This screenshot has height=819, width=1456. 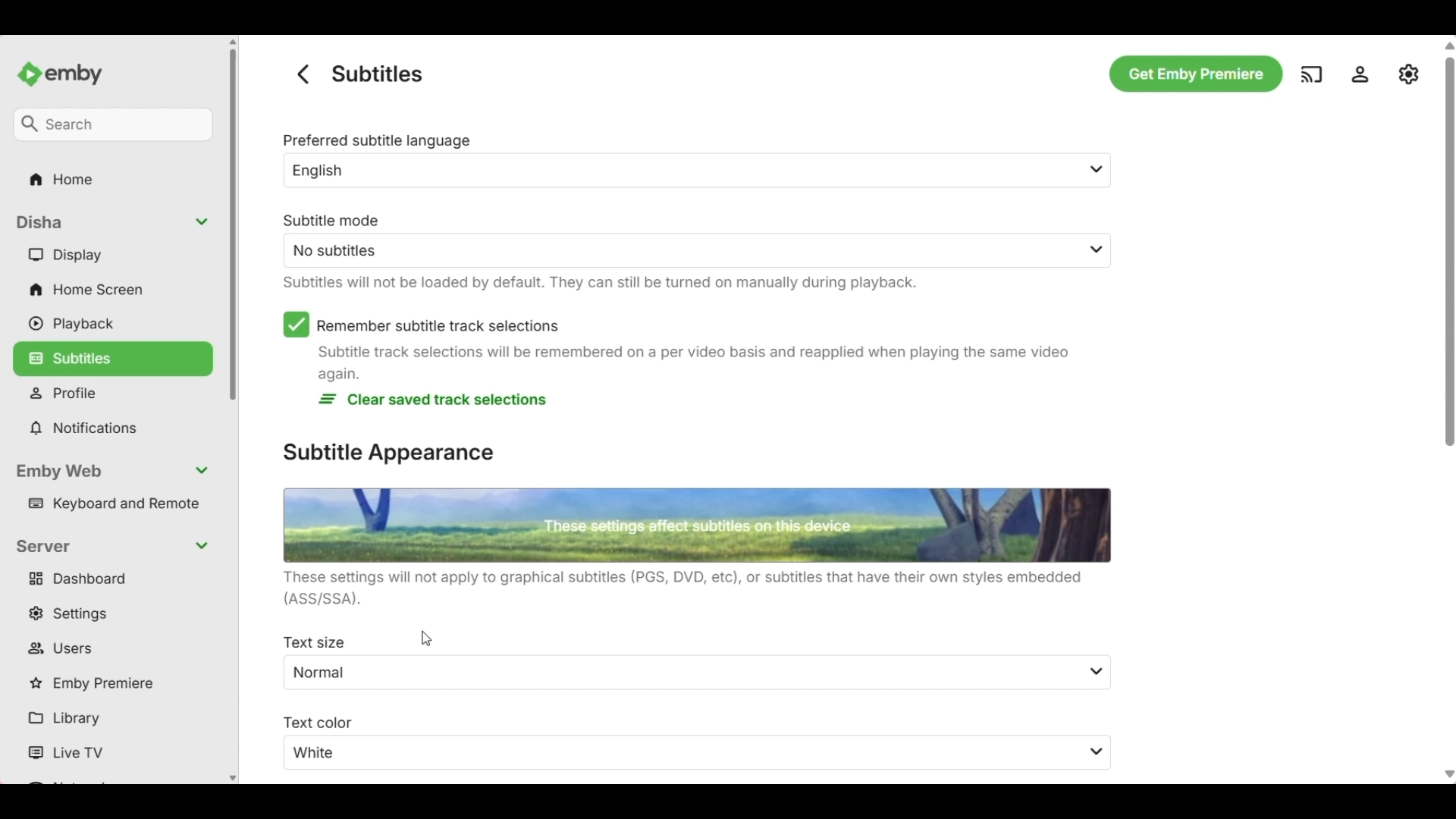 I want to click on , so click(x=58, y=178).